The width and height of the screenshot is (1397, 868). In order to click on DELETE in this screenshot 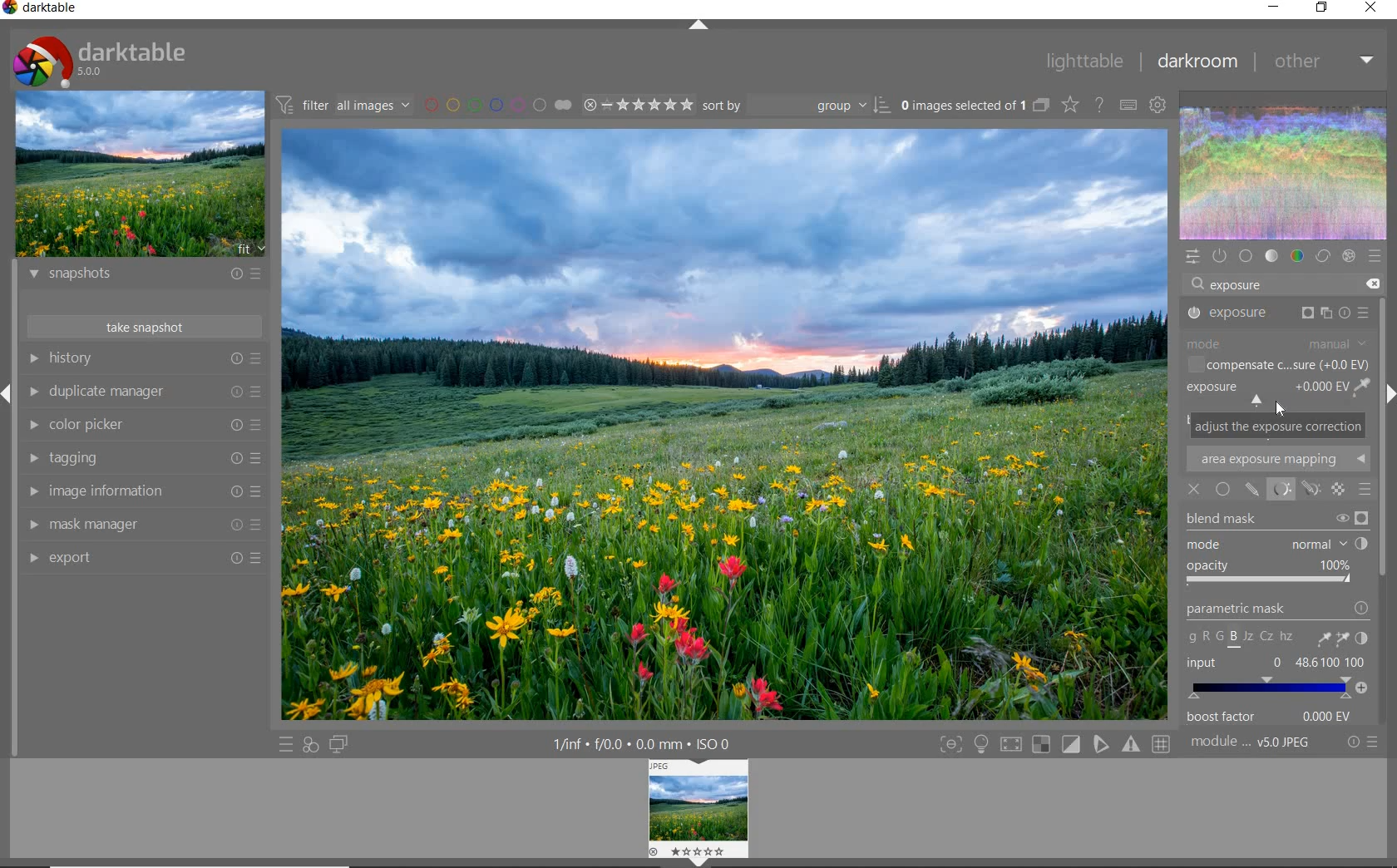, I will do `click(1374, 284)`.